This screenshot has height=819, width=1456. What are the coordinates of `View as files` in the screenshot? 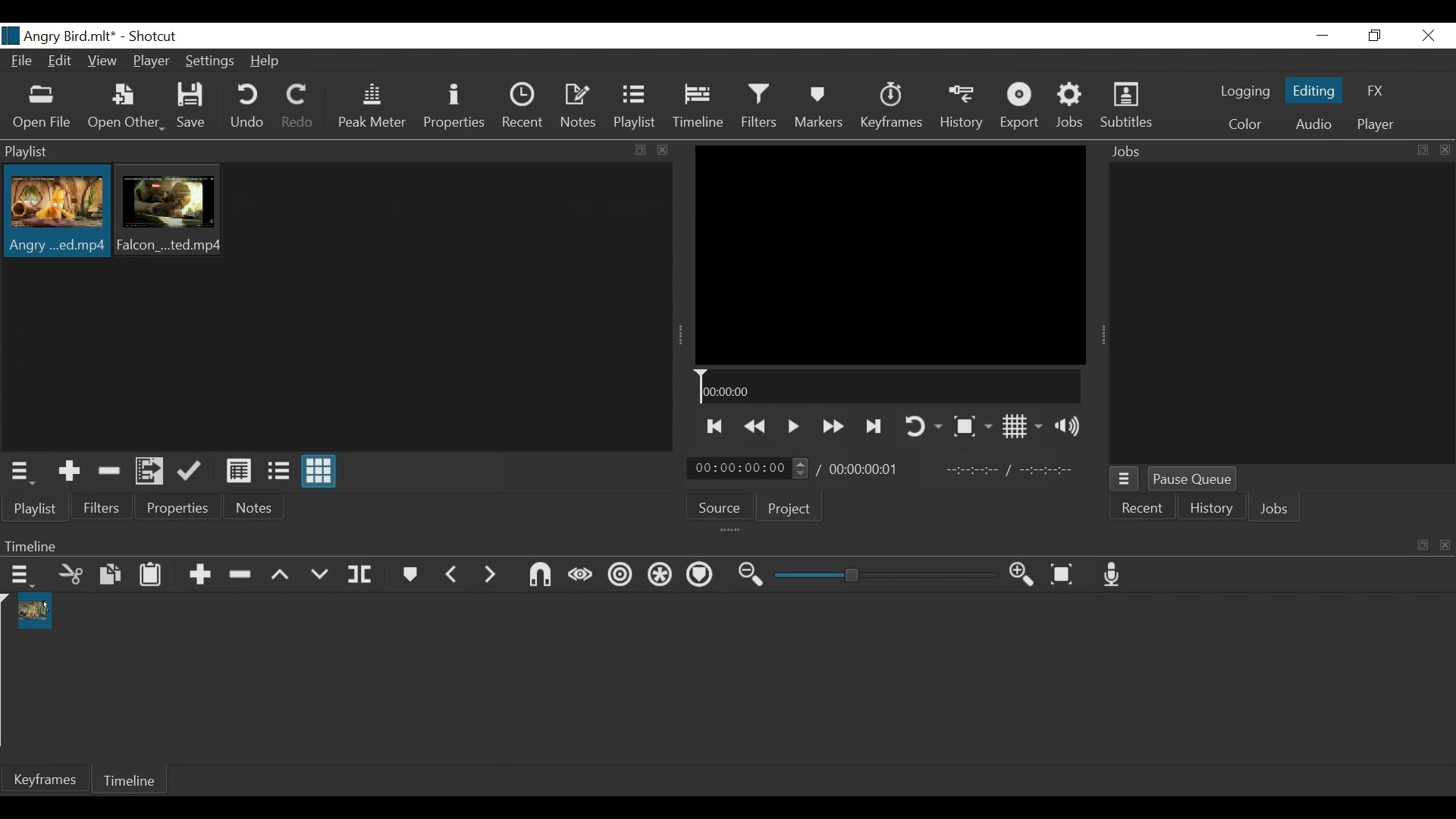 It's located at (279, 472).